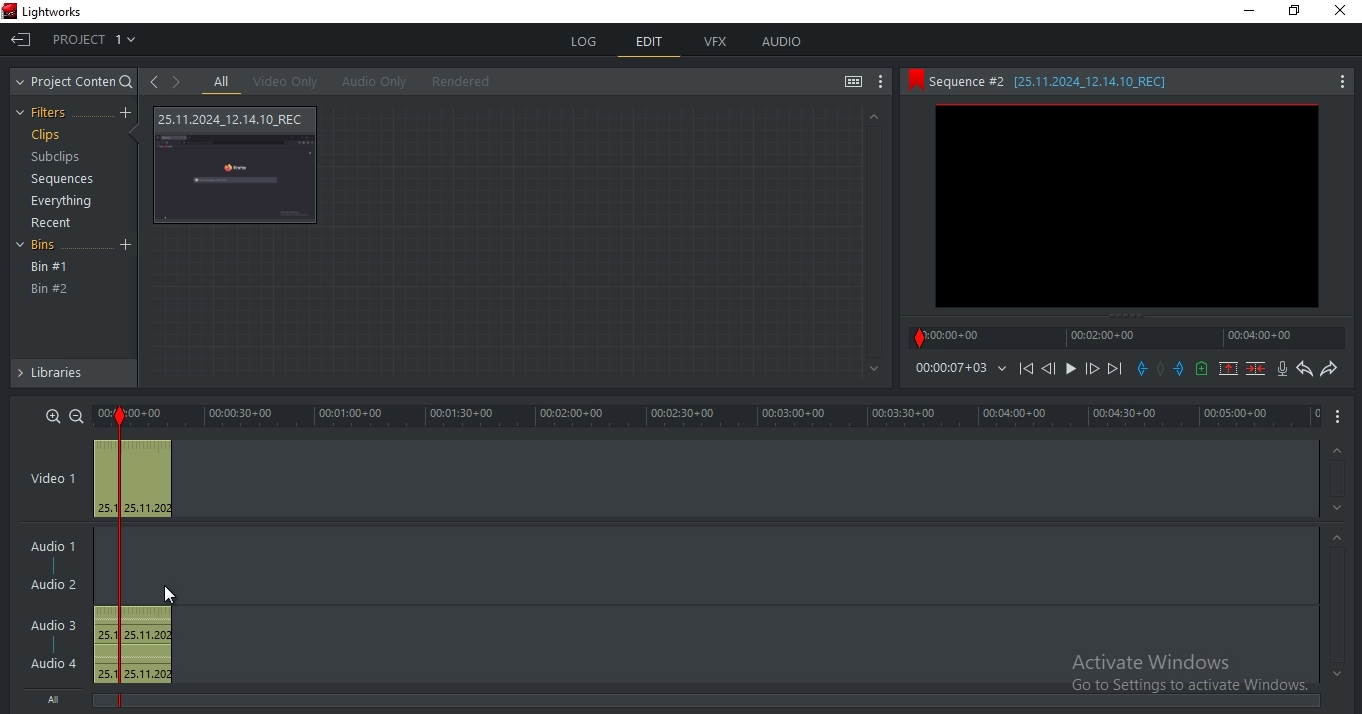 This screenshot has width=1362, height=714. I want to click on Up, so click(1338, 537).